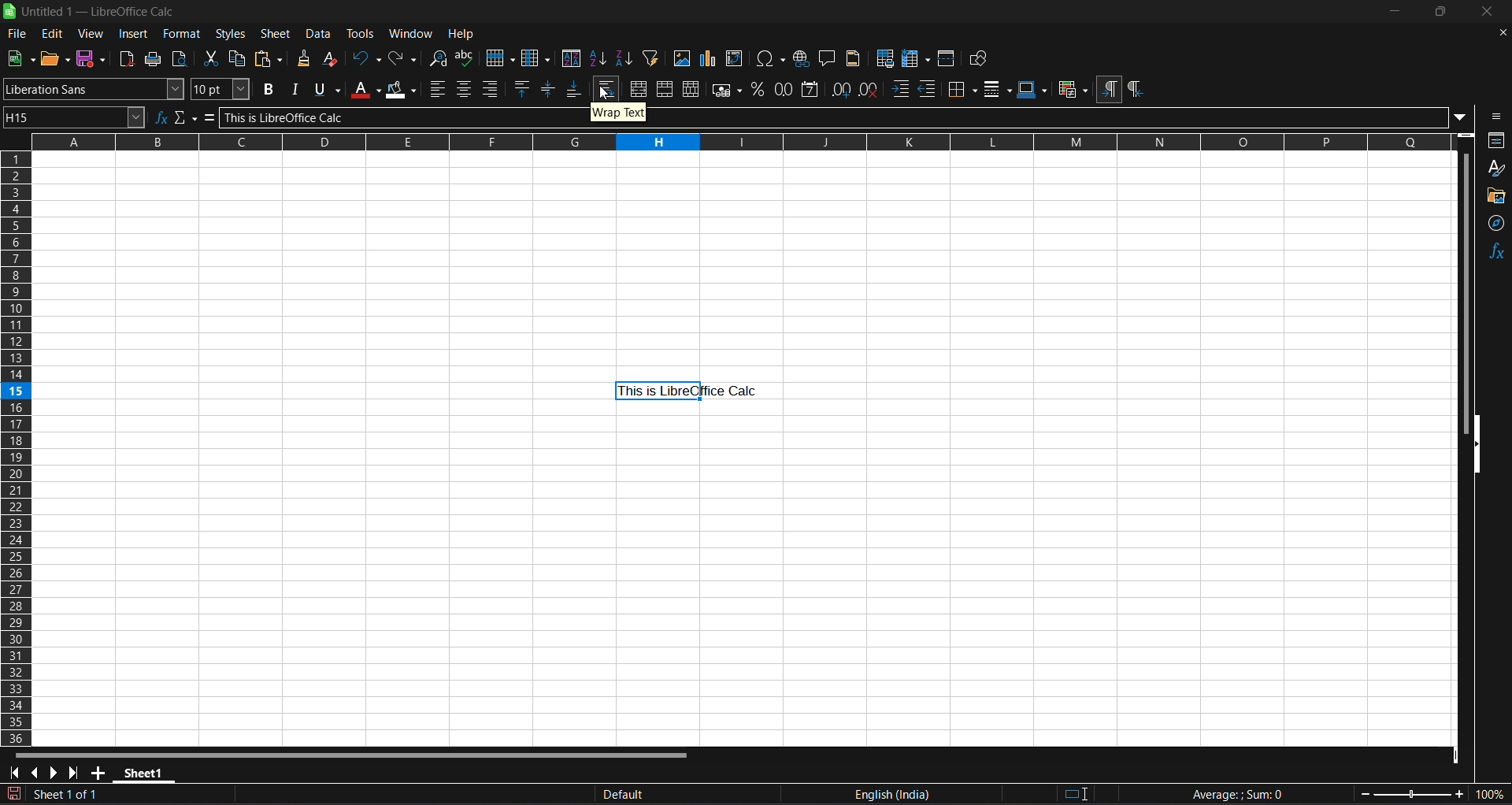  Describe the element at coordinates (403, 90) in the screenshot. I see `background color` at that location.